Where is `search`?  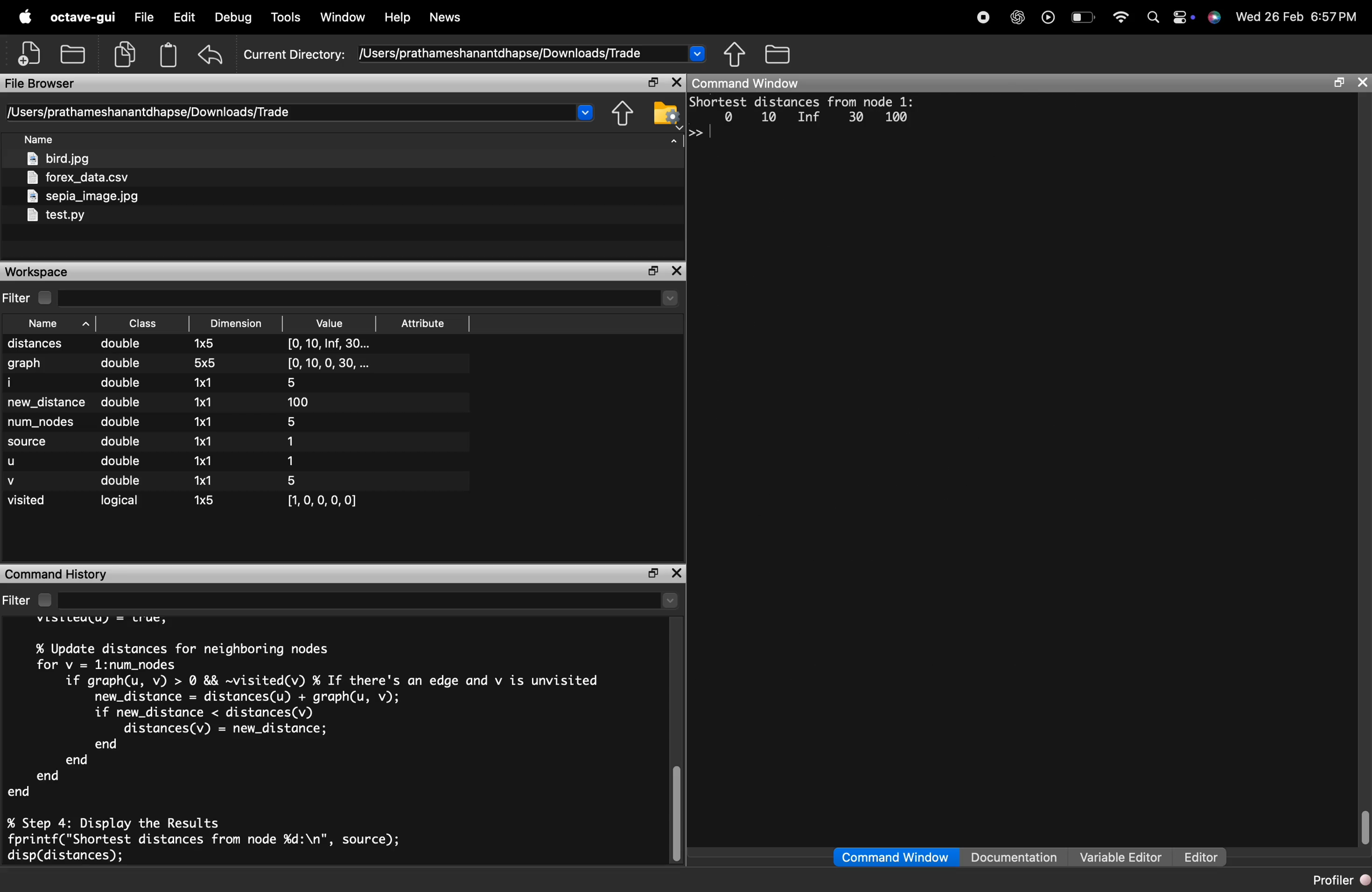
search is located at coordinates (1155, 18).